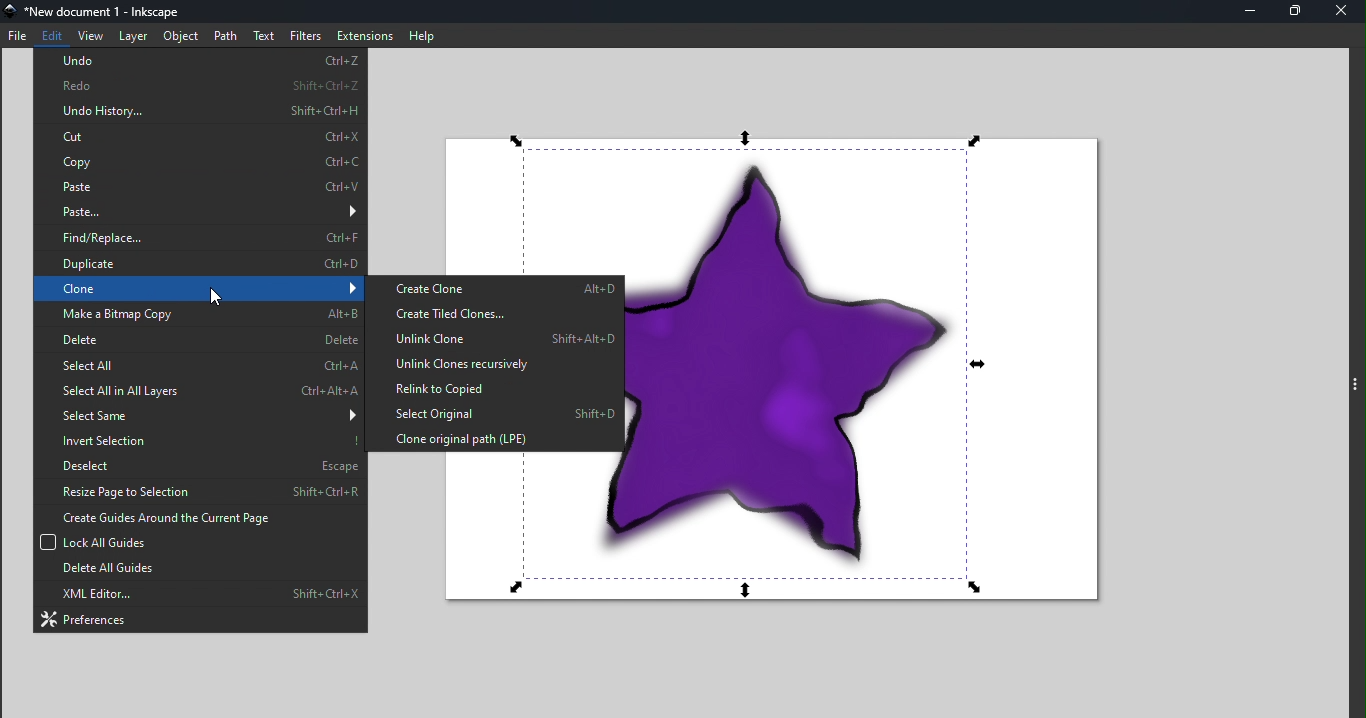  What do you see at coordinates (1357, 388) in the screenshot?
I see `toggle command panel` at bounding box center [1357, 388].